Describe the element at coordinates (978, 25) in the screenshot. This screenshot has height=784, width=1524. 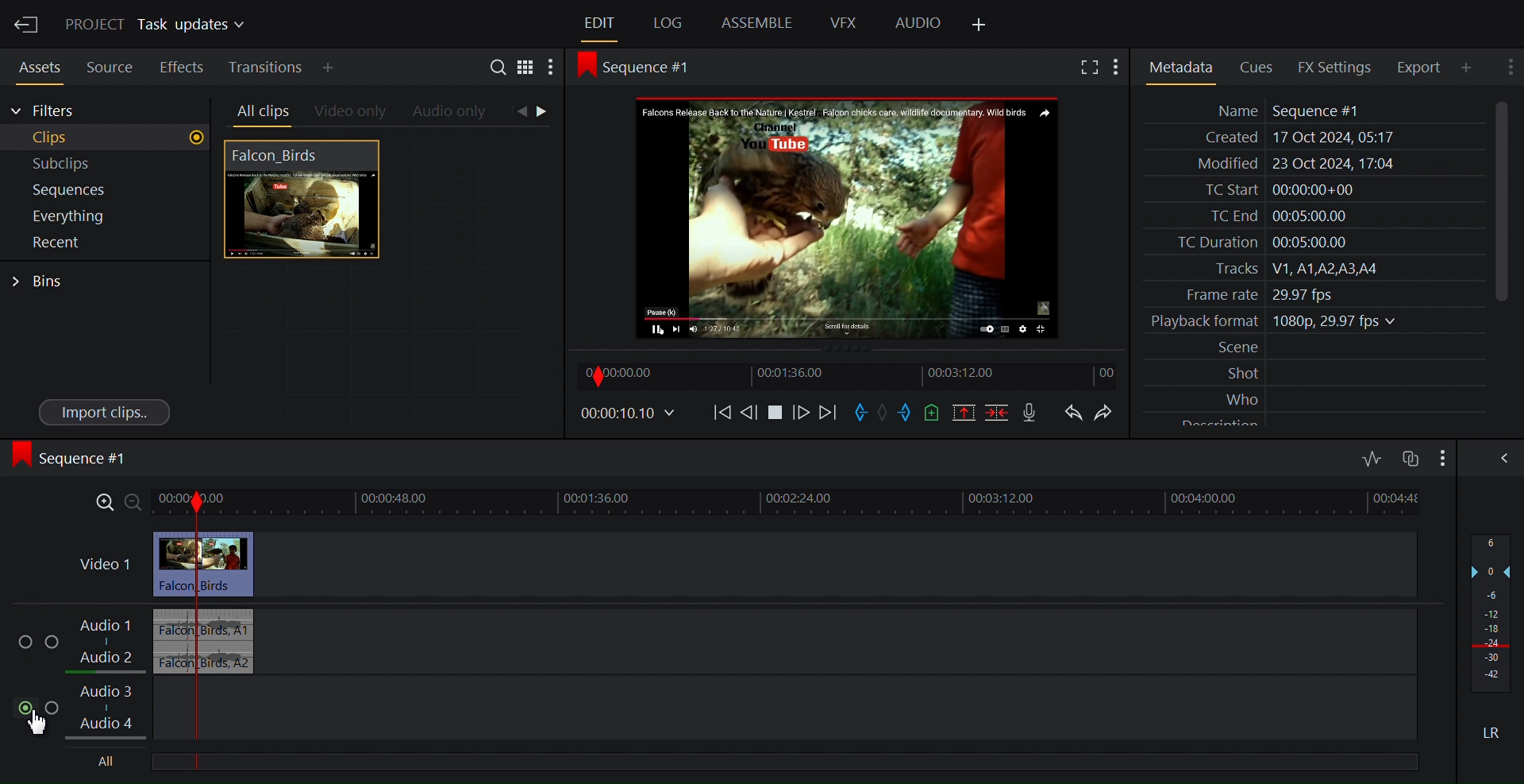
I see `Add Panel` at that location.